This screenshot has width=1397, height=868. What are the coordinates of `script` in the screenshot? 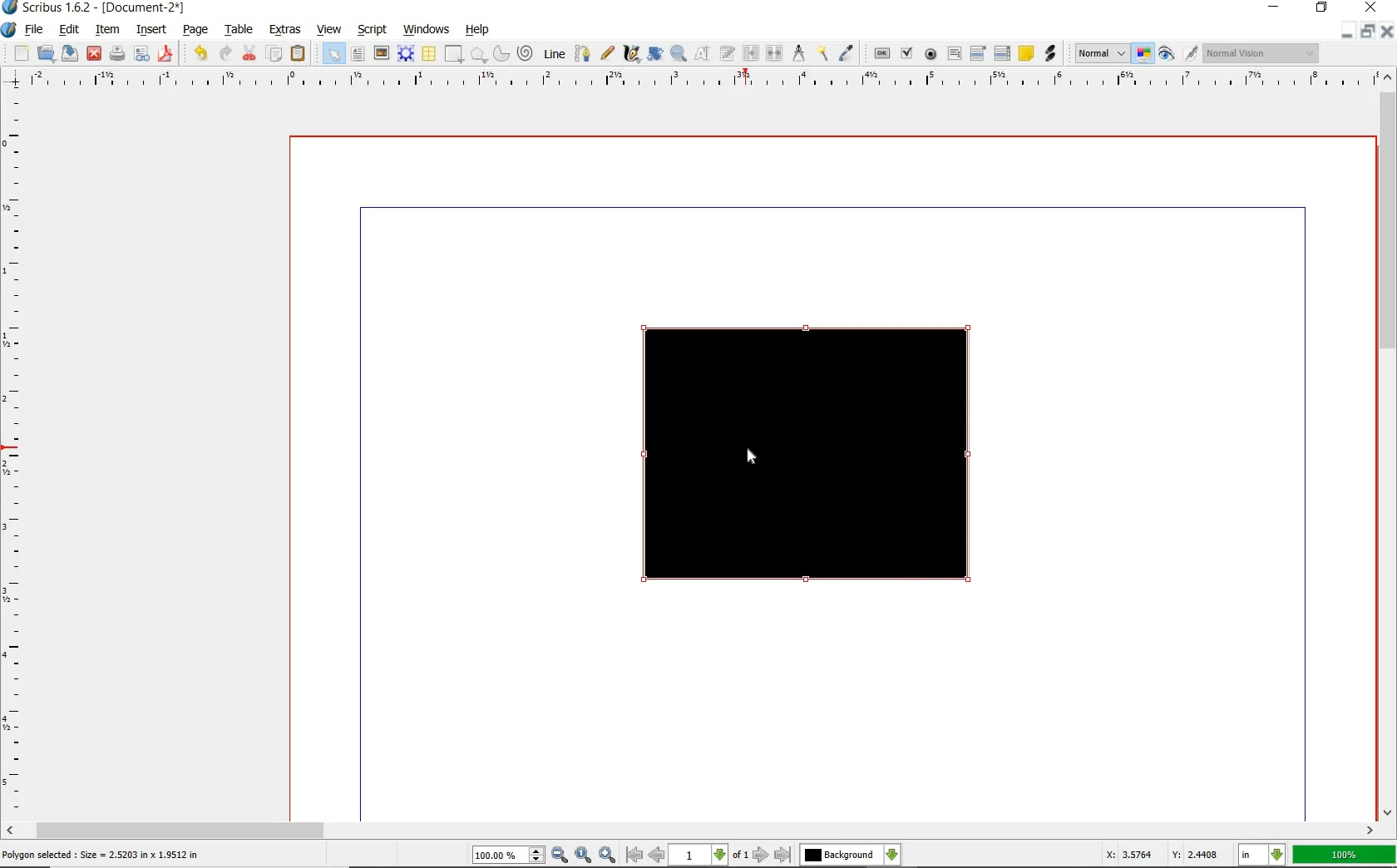 It's located at (373, 30).